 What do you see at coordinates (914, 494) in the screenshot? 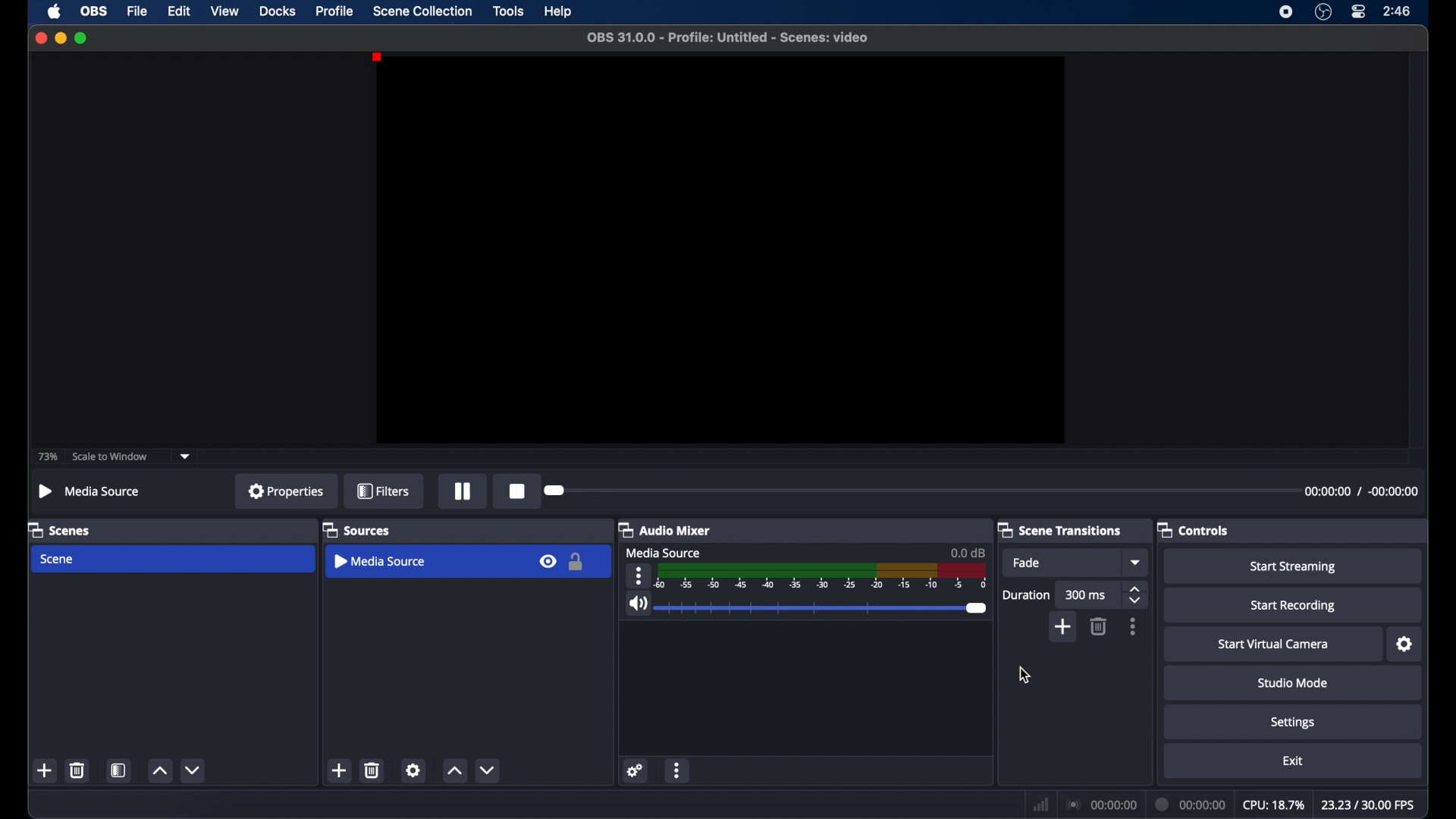
I see `marker` at bounding box center [914, 494].